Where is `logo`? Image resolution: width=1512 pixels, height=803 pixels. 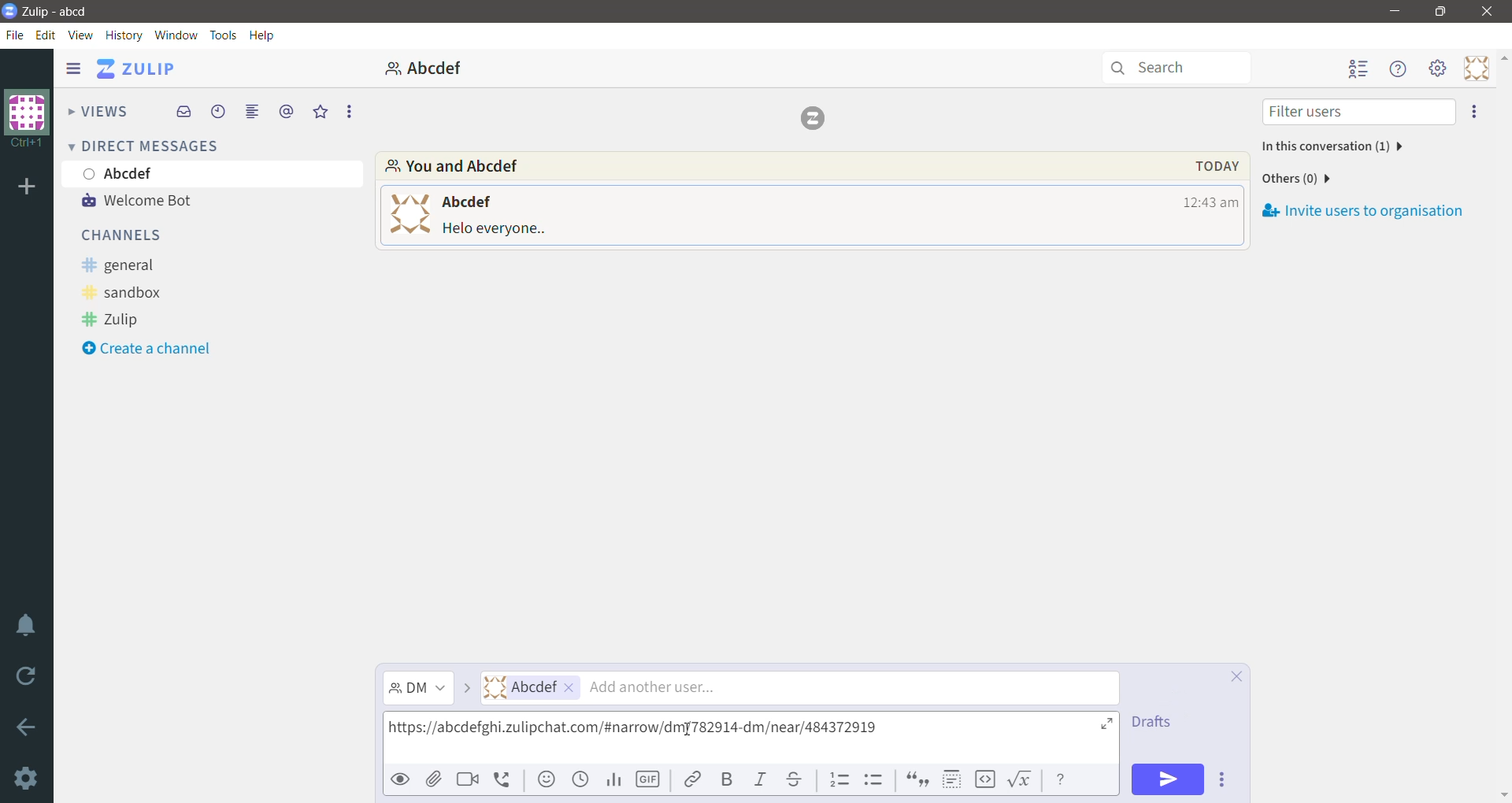
logo is located at coordinates (817, 118).